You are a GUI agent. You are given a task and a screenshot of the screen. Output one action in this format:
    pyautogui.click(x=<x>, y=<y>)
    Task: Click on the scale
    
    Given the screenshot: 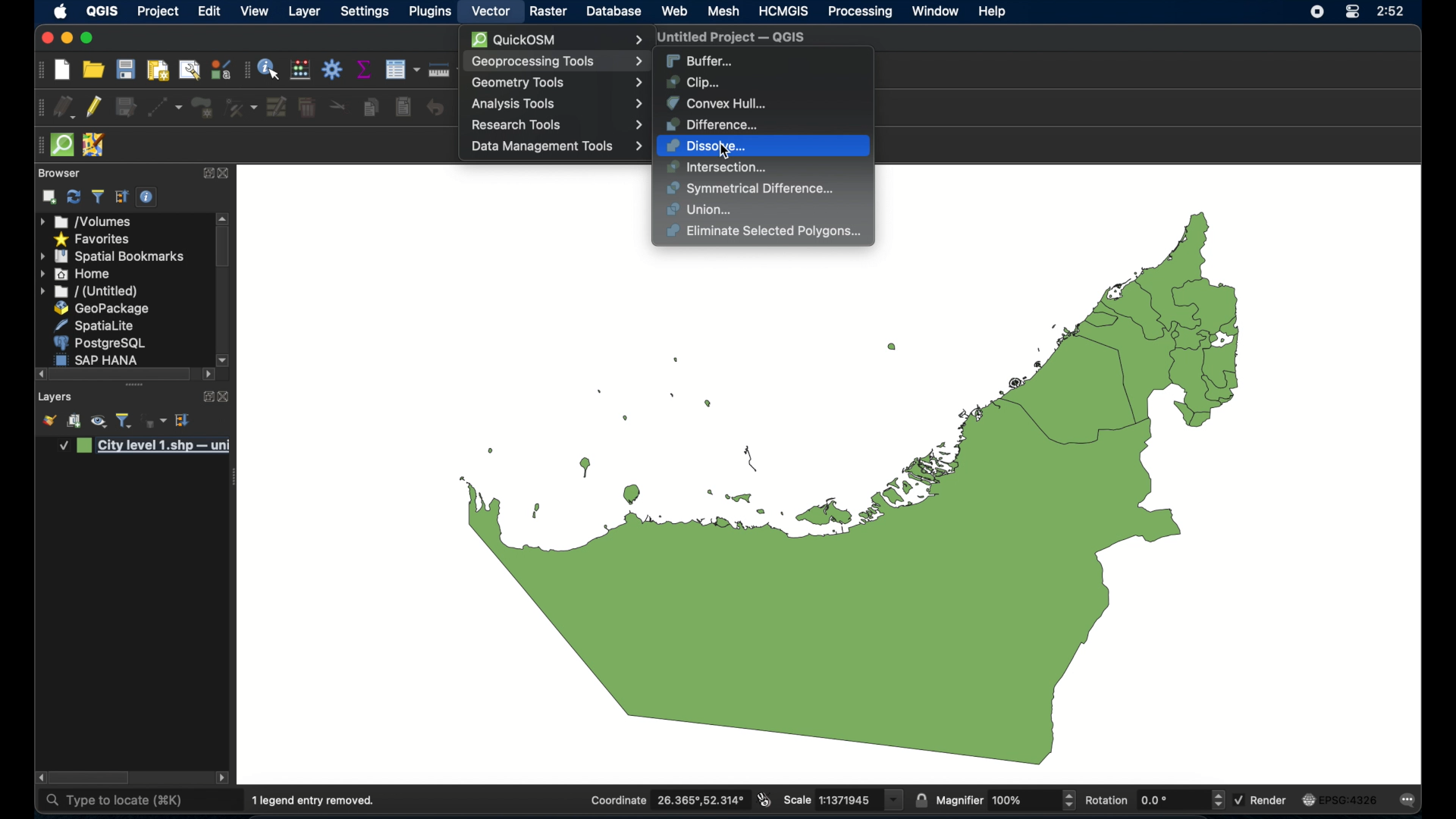 What is the action you would take?
    pyautogui.click(x=843, y=800)
    